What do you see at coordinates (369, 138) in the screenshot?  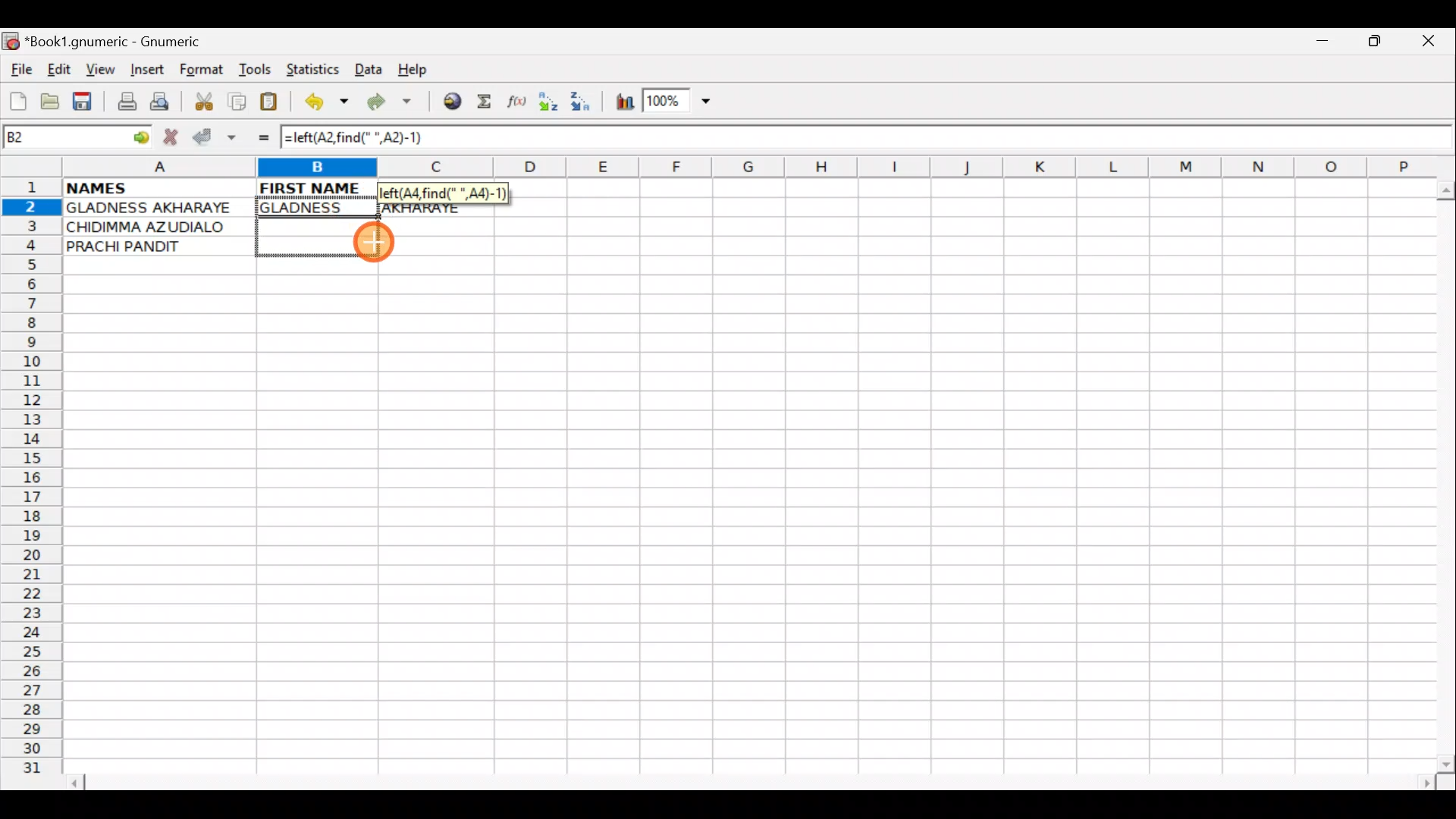 I see `=left(A2, find(" ",A2)-1)` at bounding box center [369, 138].